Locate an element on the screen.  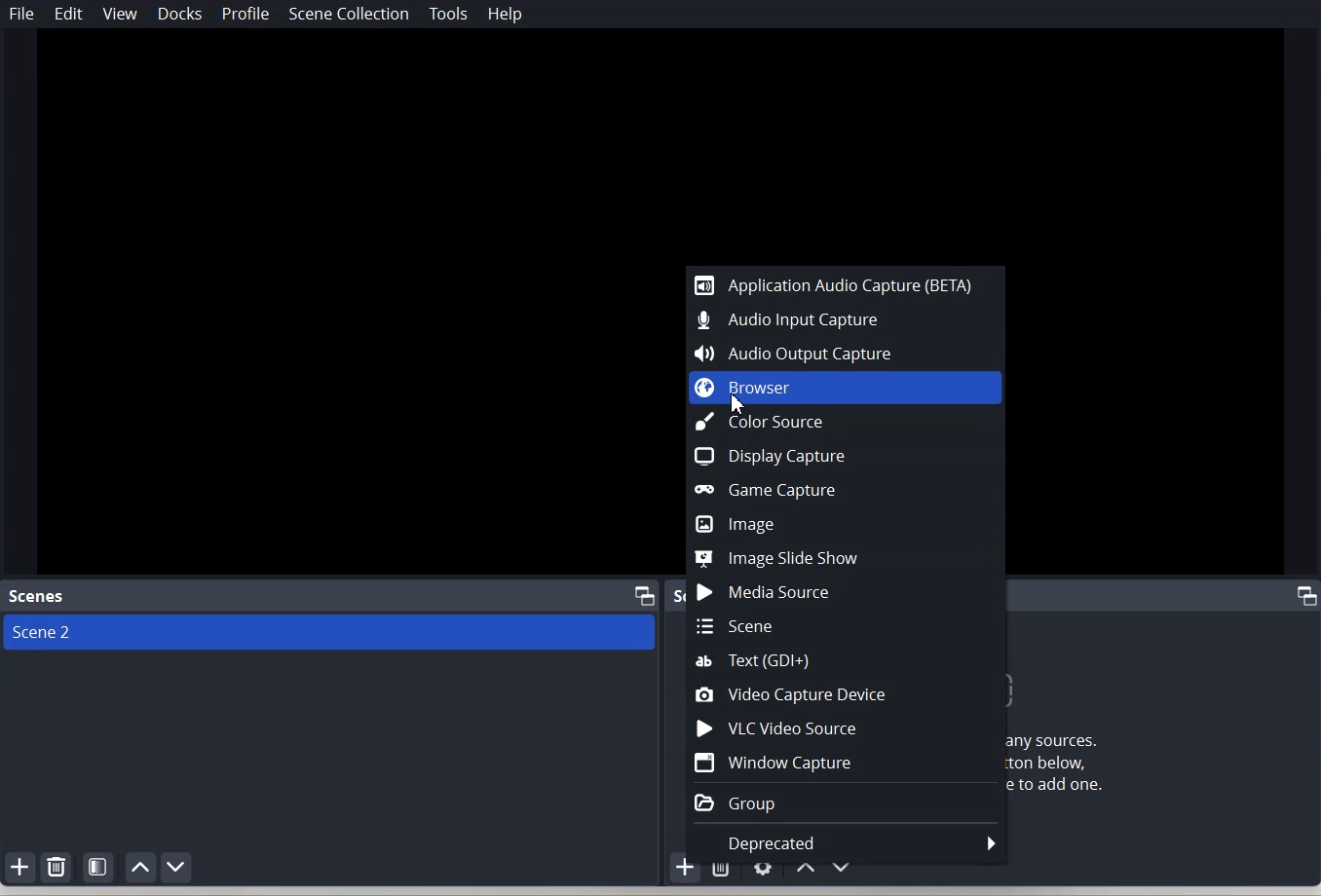
Game capture is located at coordinates (847, 490).